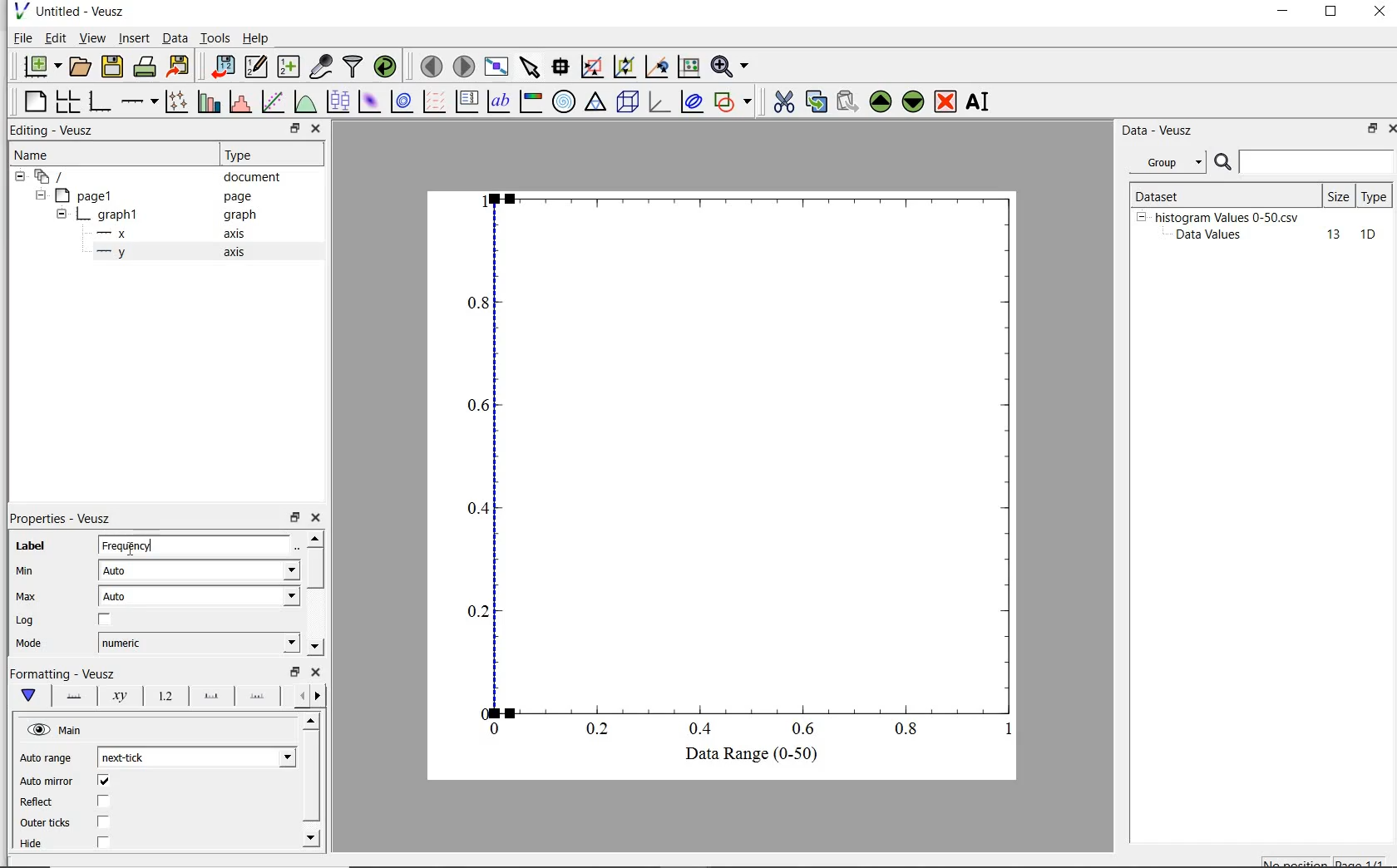  I want to click on click to recenter graph axes, so click(688, 67).